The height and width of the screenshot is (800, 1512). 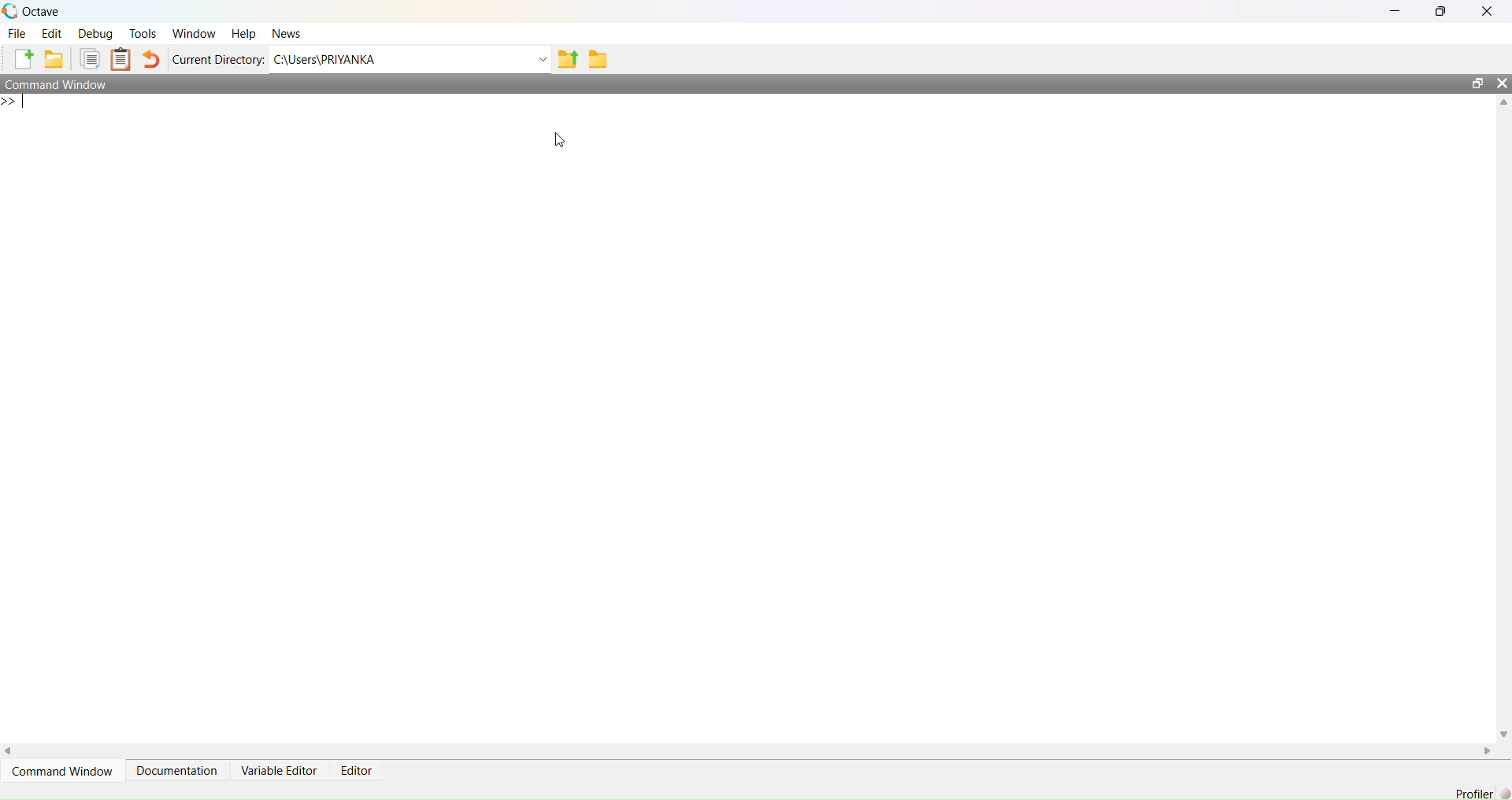 What do you see at coordinates (152, 59) in the screenshot?
I see `Undo` at bounding box center [152, 59].